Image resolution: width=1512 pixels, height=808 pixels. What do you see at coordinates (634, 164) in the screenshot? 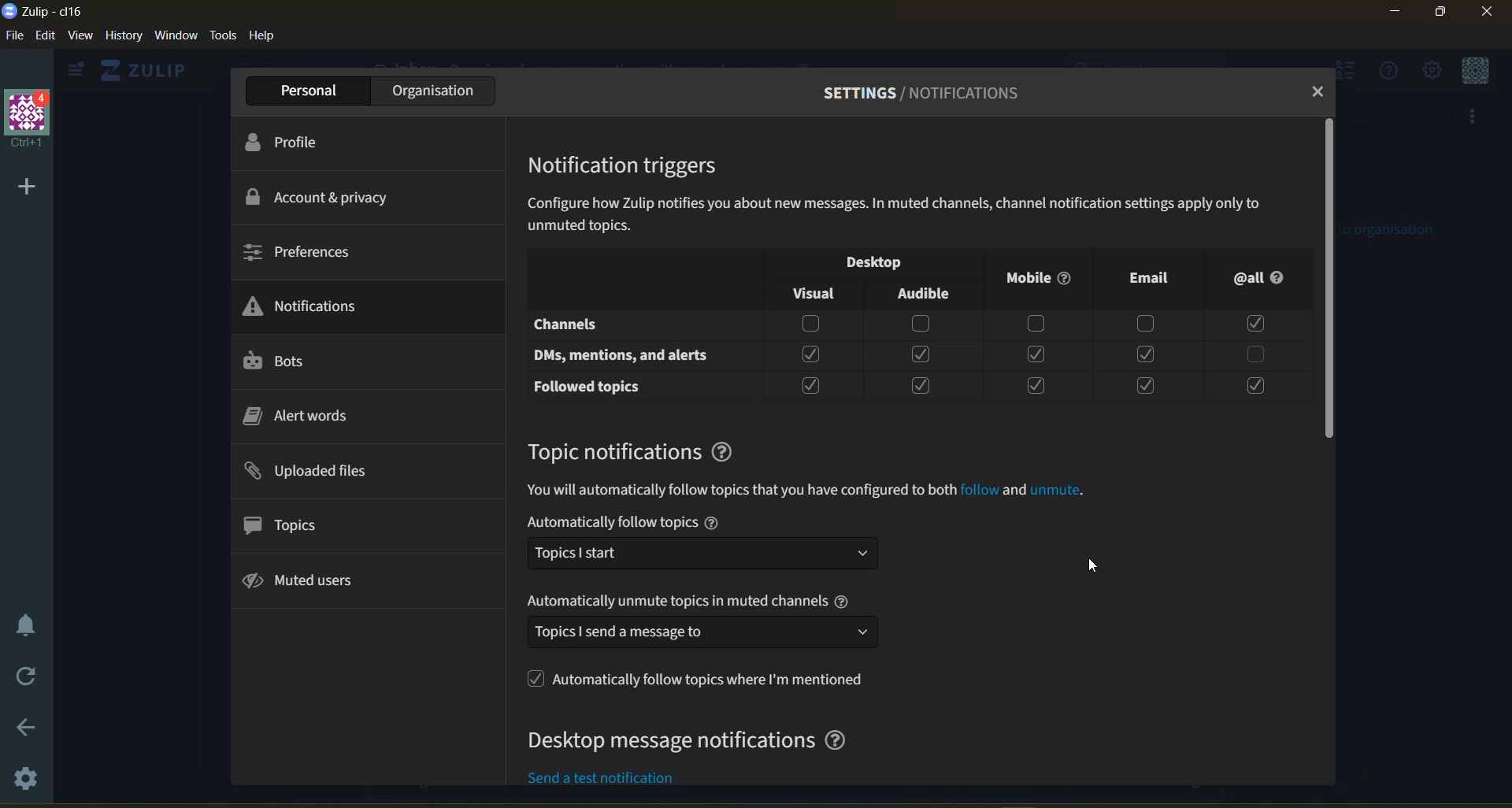
I see `notification triggers` at bounding box center [634, 164].